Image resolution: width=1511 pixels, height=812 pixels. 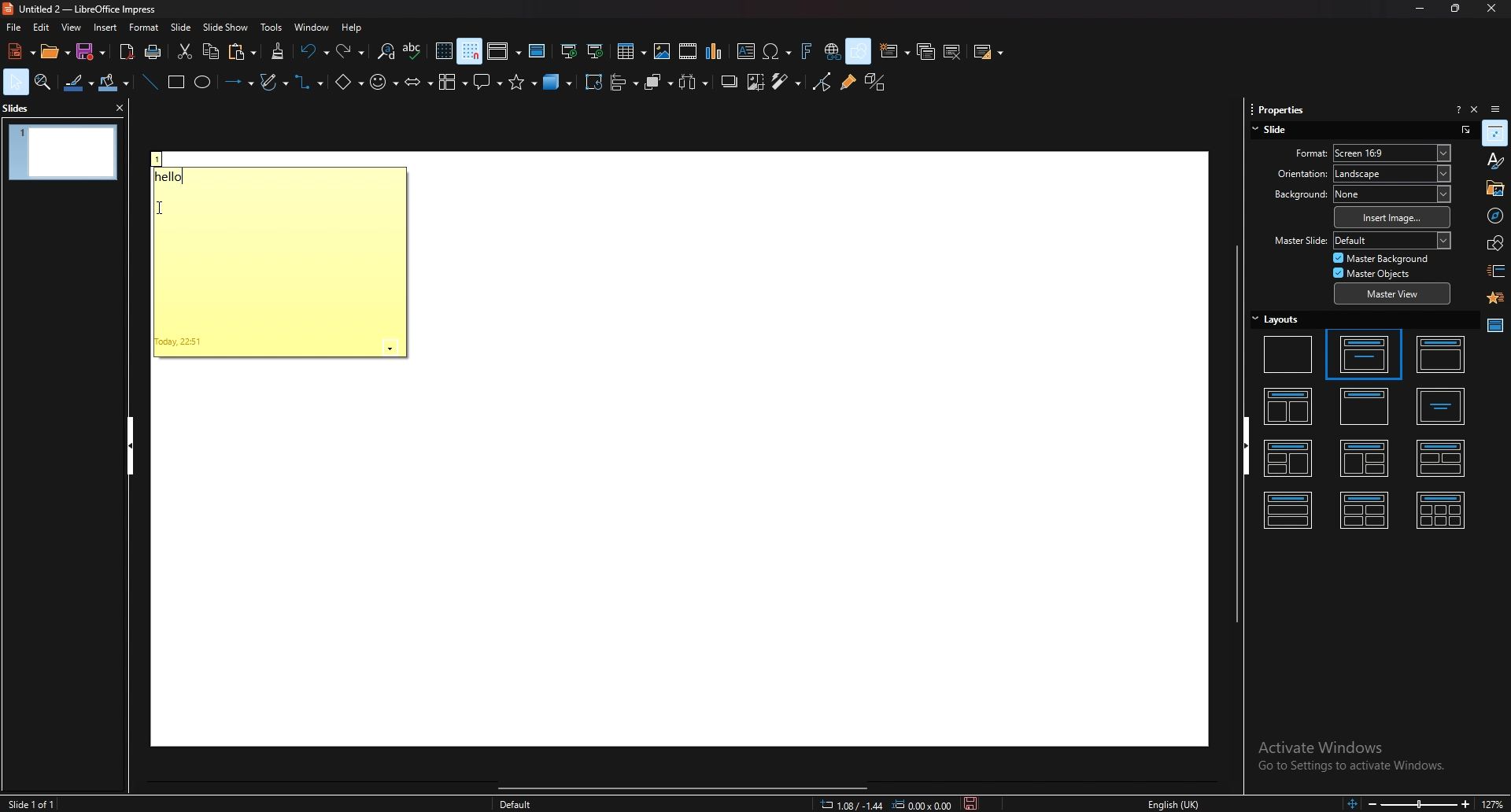 What do you see at coordinates (211, 52) in the screenshot?
I see `copy` at bounding box center [211, 52].